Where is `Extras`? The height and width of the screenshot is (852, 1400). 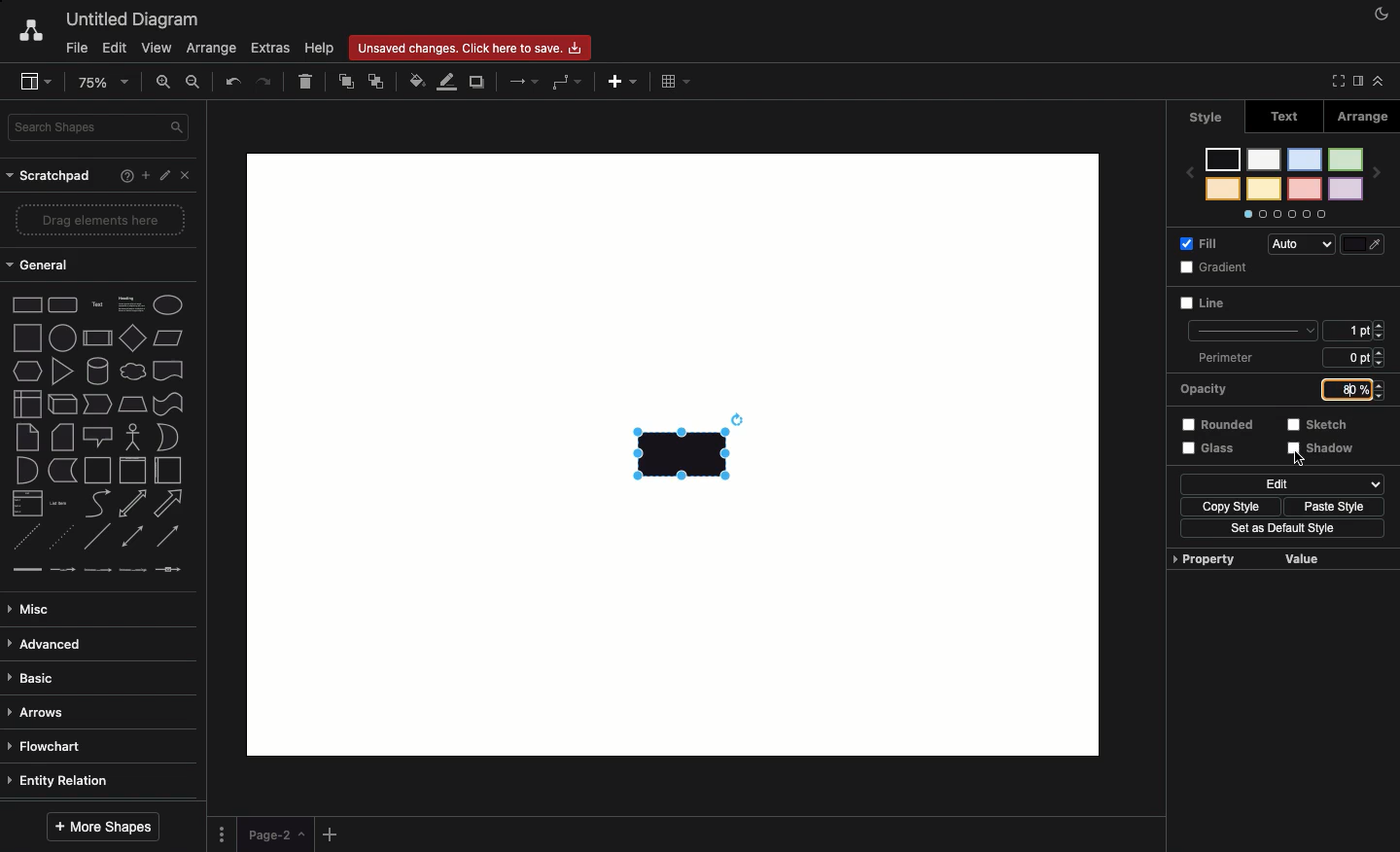 Extras is located at coordinates (268, 48).